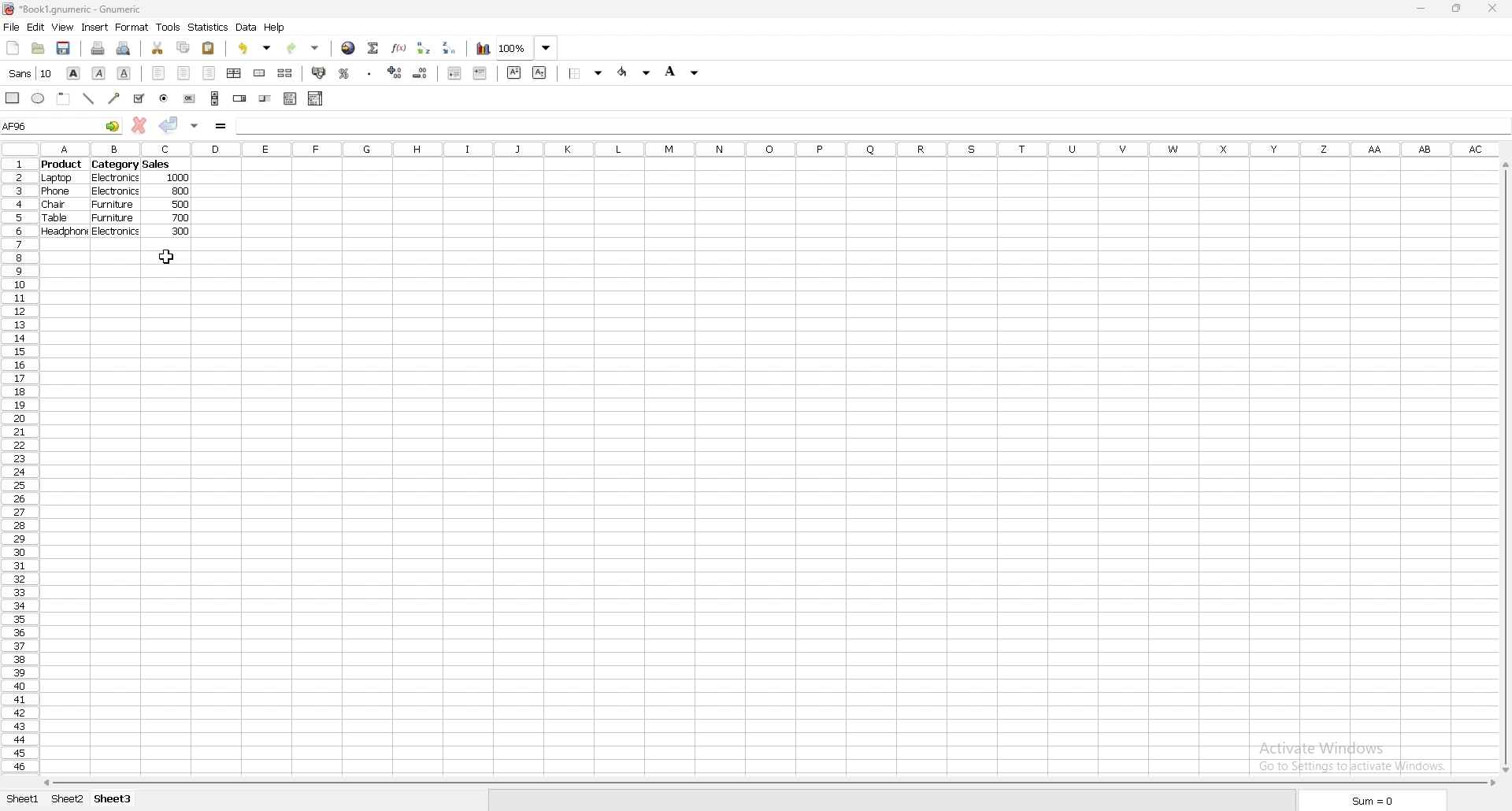  Describe the element at coordinates (159, 73) in the screenshot. I see `left align` at that location.